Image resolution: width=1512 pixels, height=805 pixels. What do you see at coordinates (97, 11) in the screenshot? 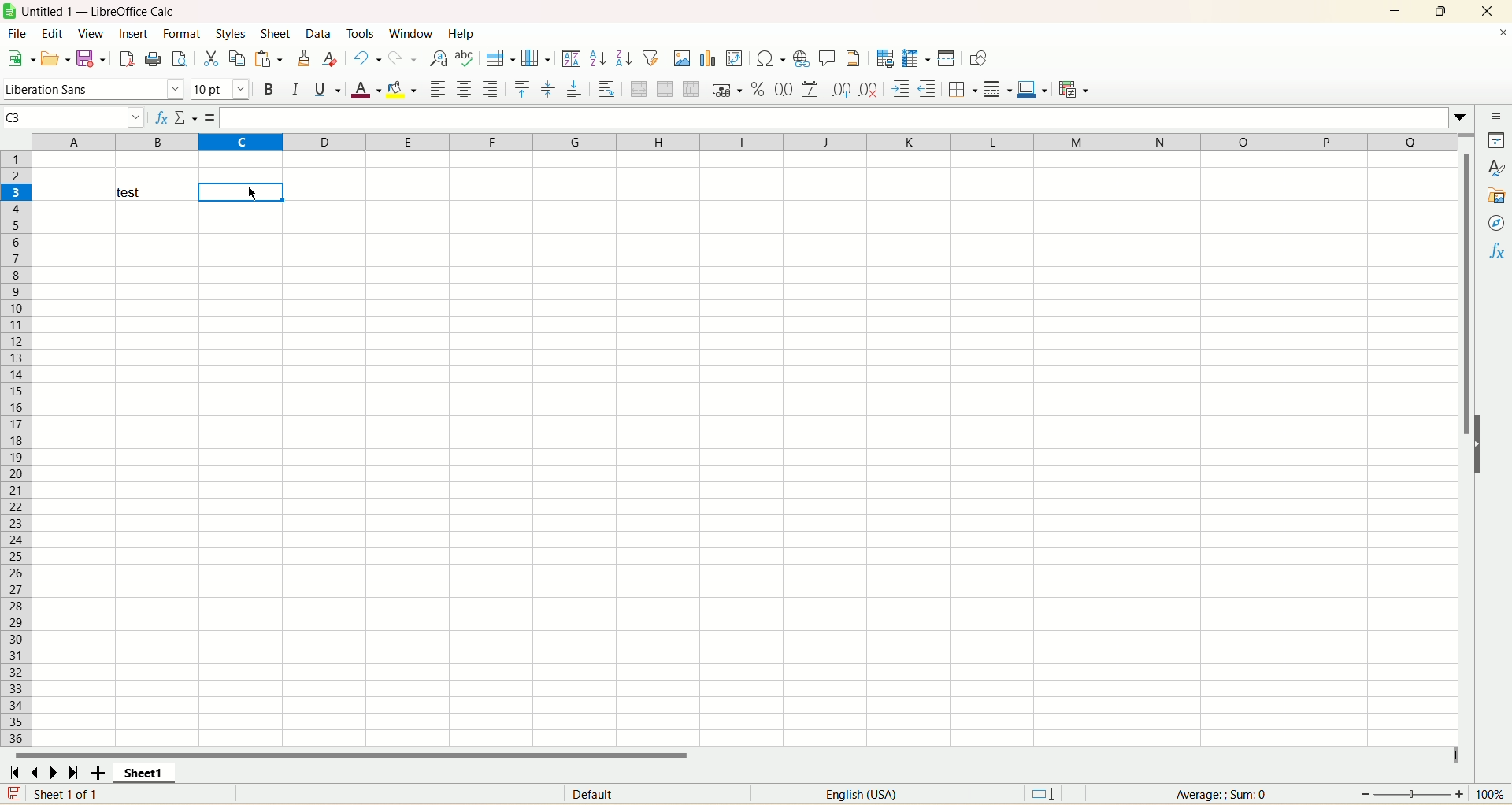
I see `Untitled 1 — LibreOffice Calc` at bounding box center [97, 11].